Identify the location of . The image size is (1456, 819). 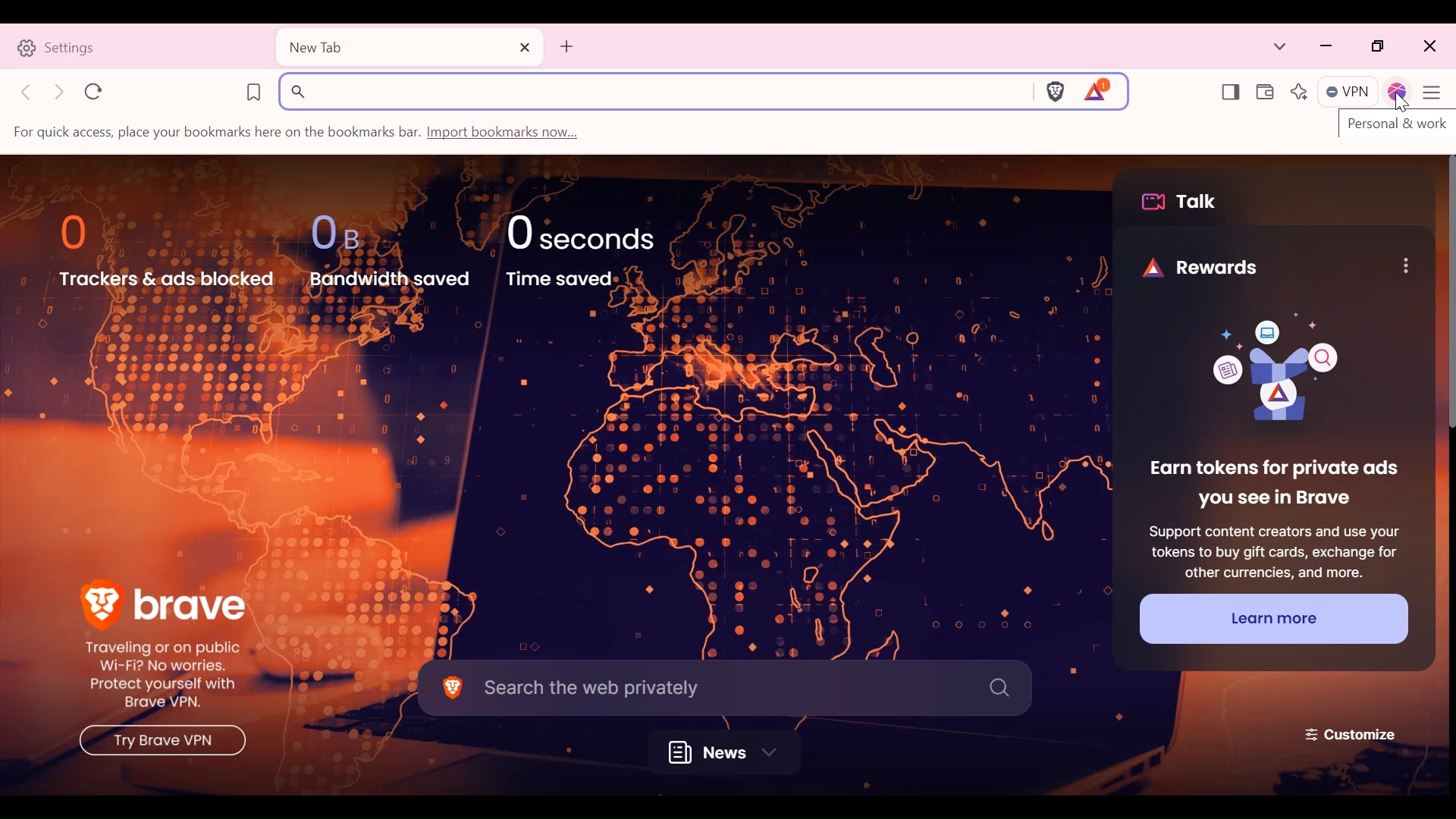
(1403, 104).